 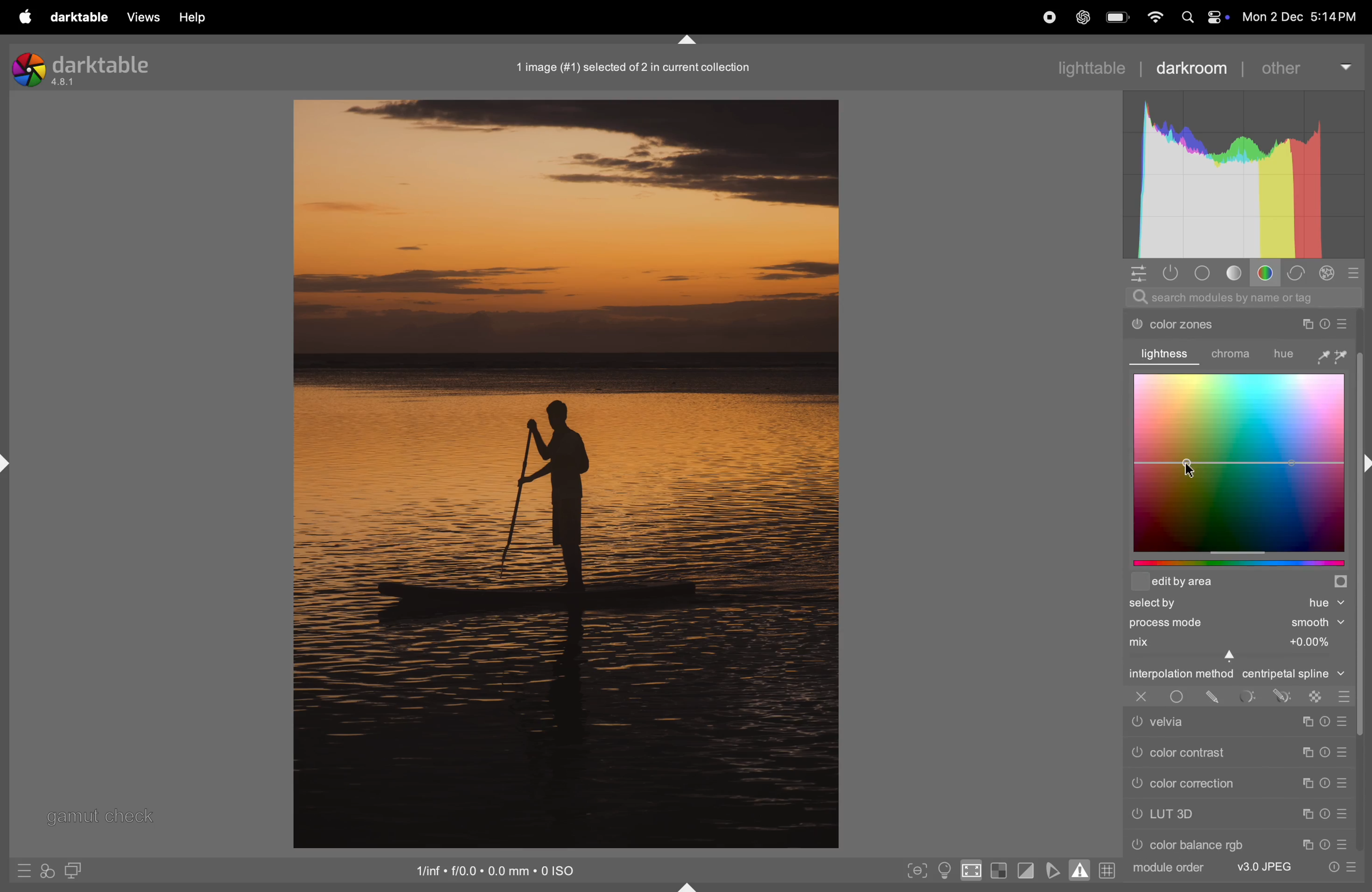 I want to click on toggle peak focusing mode, so click(x=915, y=870).